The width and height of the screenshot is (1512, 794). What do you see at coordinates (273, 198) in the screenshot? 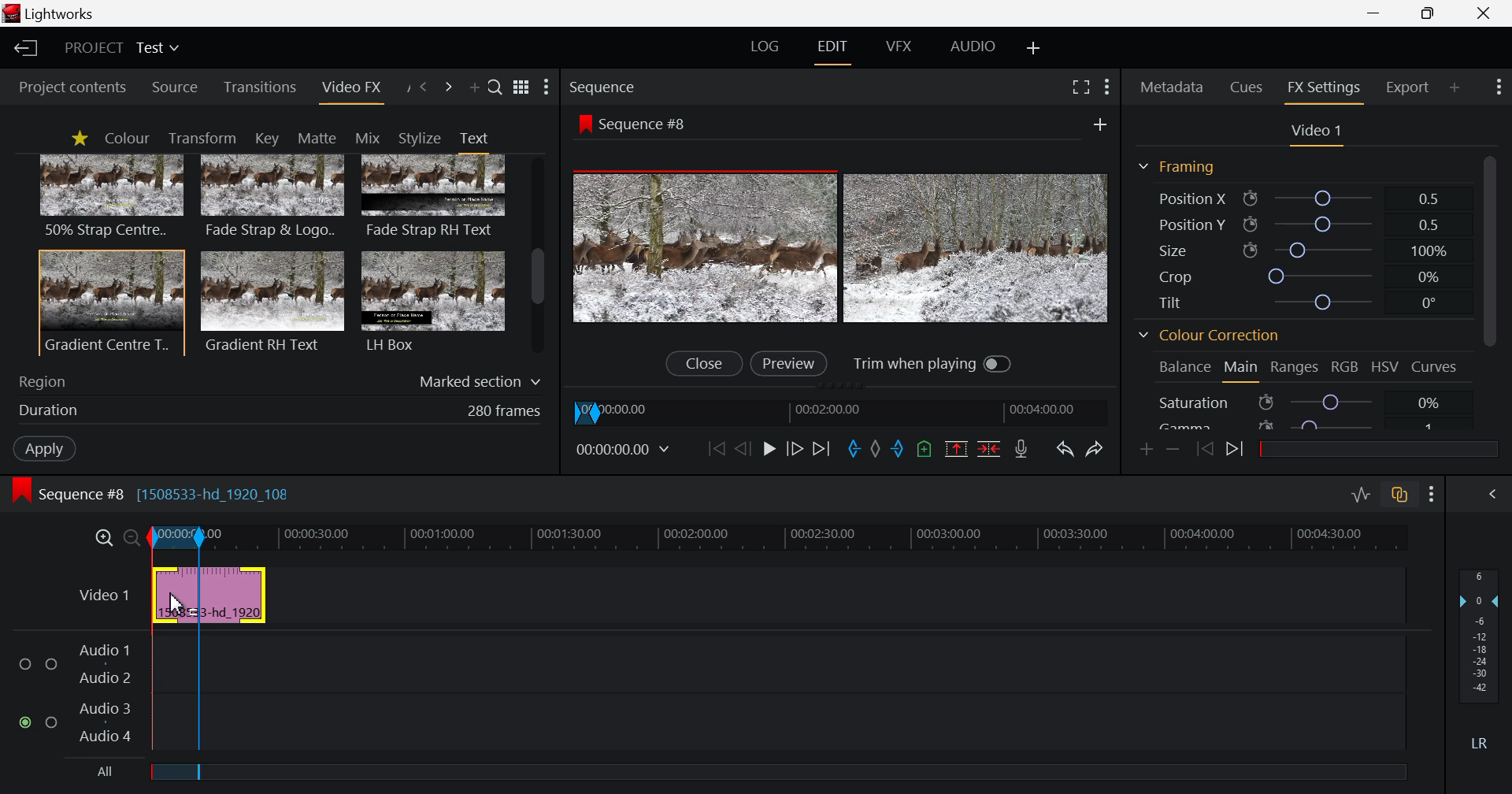
I see `Fade Strap & Logo` at bounding box center [273, 198].